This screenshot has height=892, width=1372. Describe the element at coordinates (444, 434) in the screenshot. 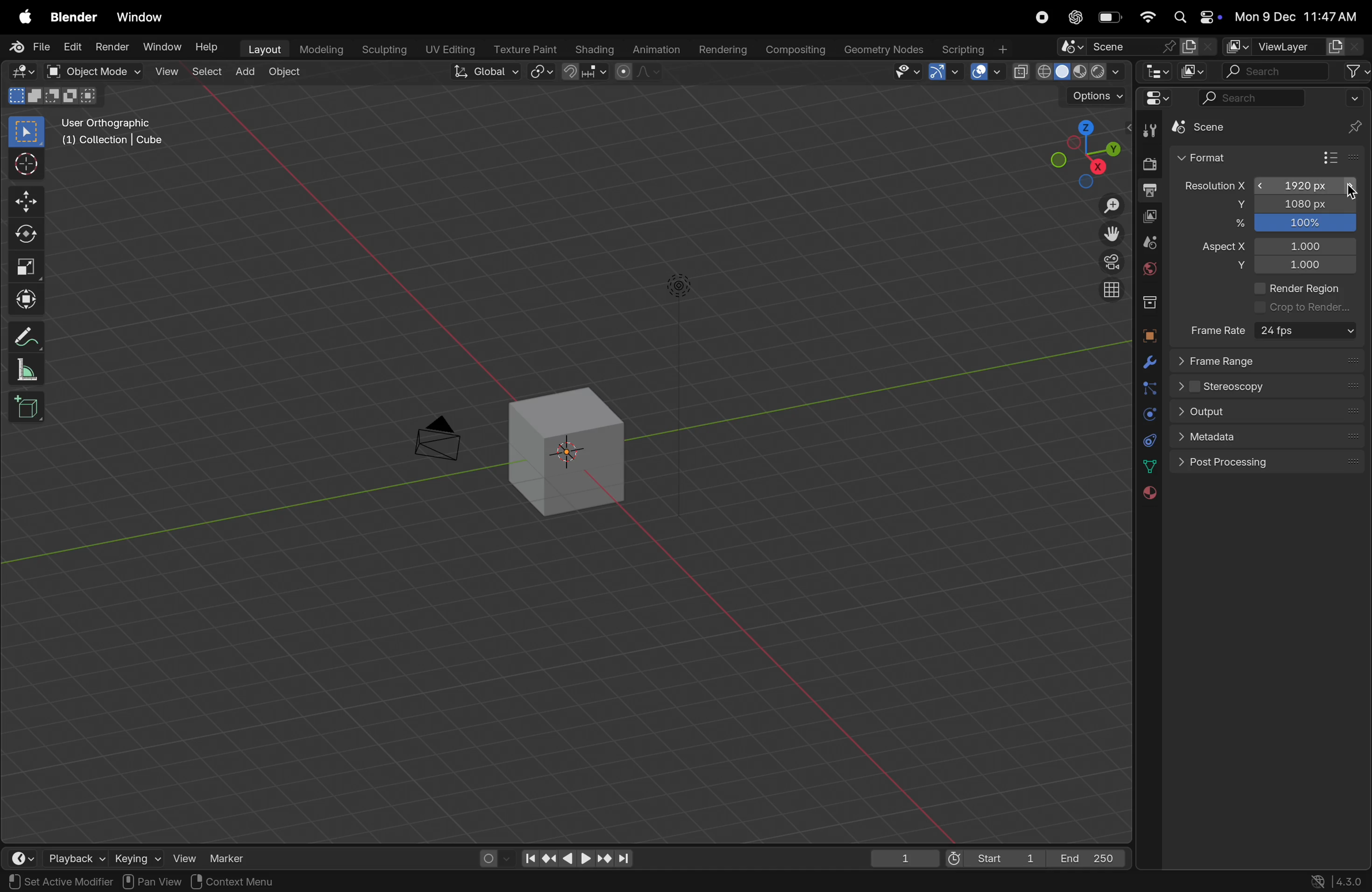

I see `camera` at that location.